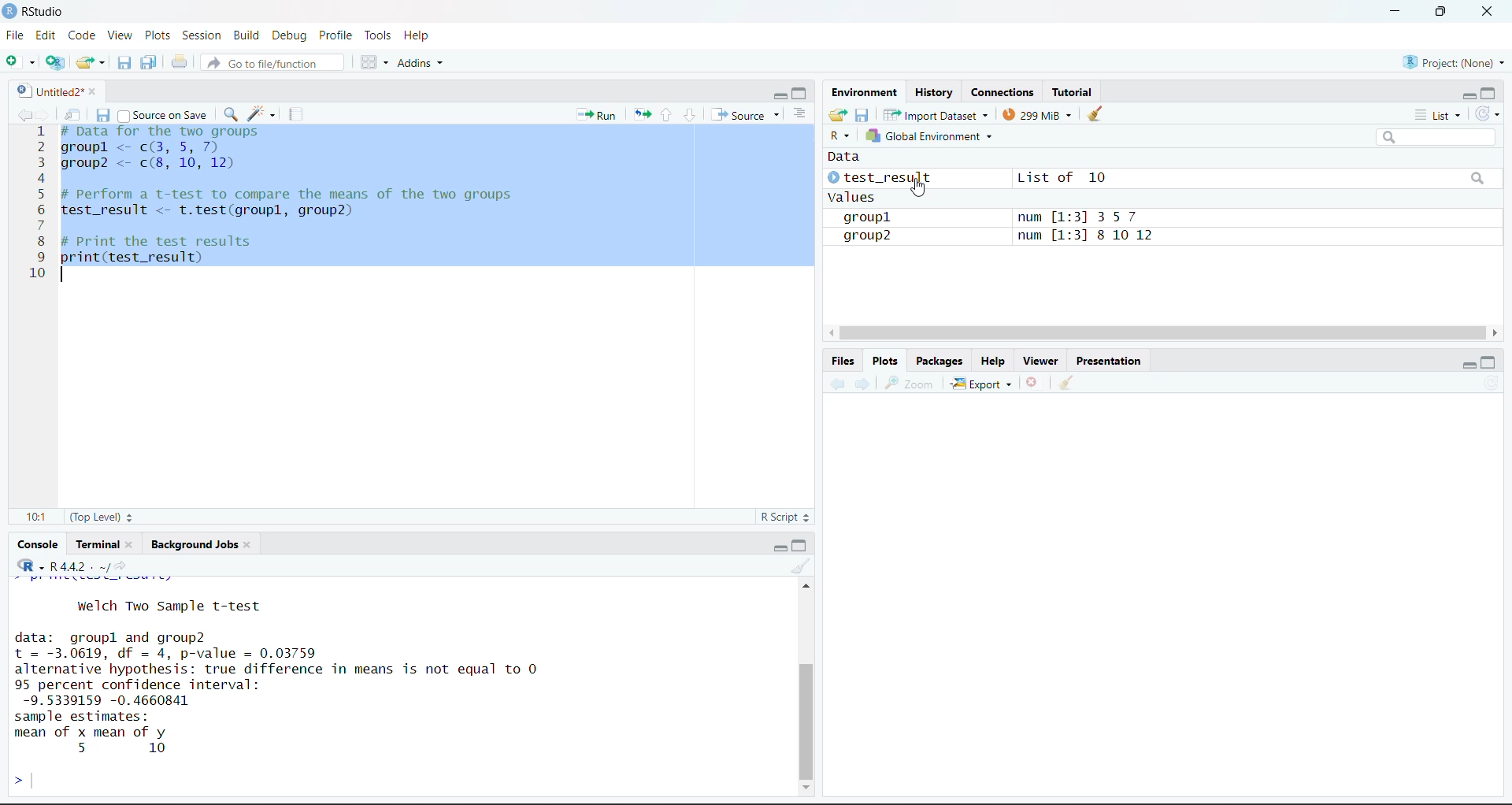 Image resolution: width=1512 pixels, height=805 pixels. What do you see at coordinates (935, 92) in the screenshot?
I see `History` at bounding box center [935, 92].